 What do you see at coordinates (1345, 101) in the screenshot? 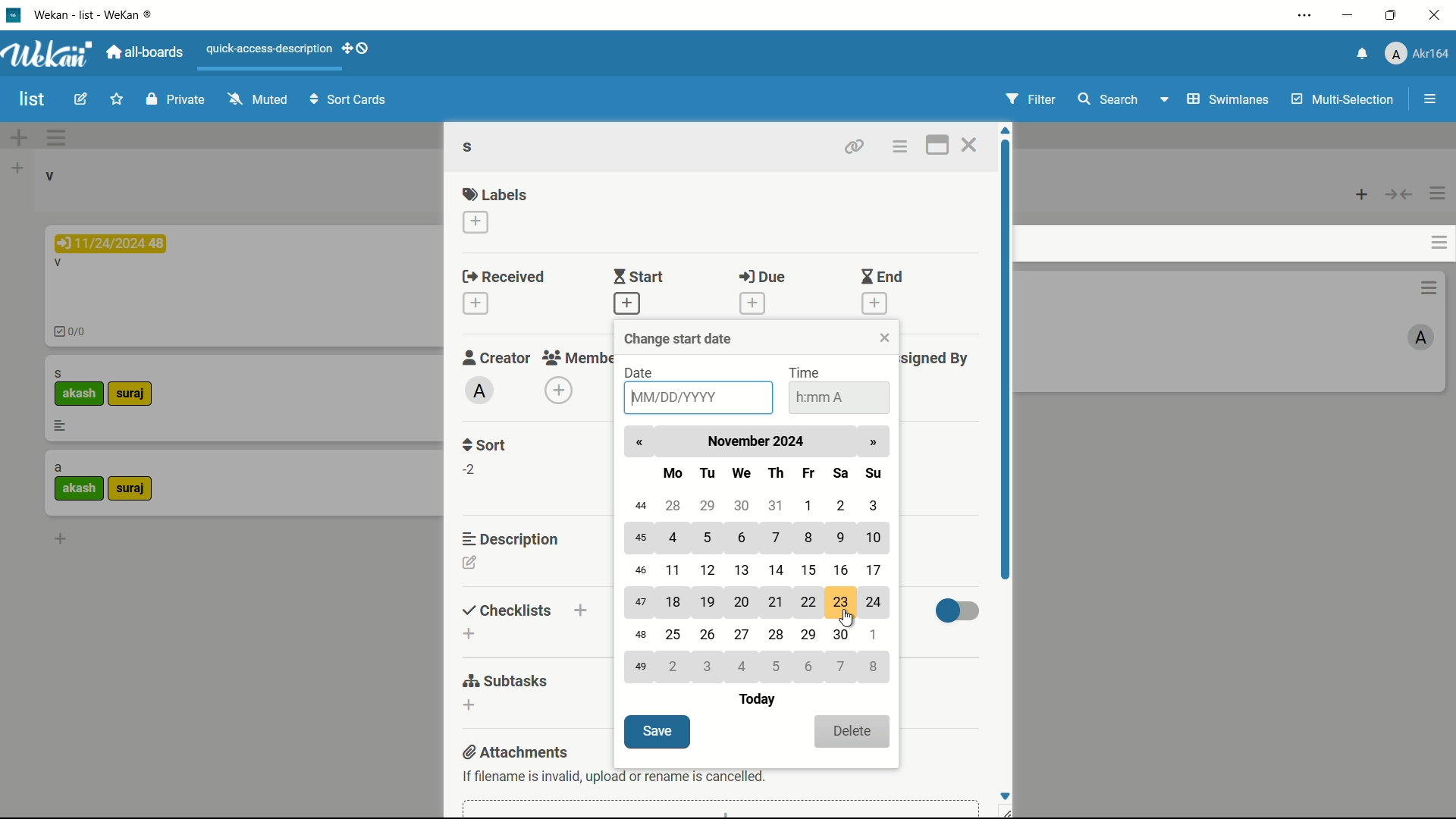
I see `multi selection` at bounding box center [1345, 101].